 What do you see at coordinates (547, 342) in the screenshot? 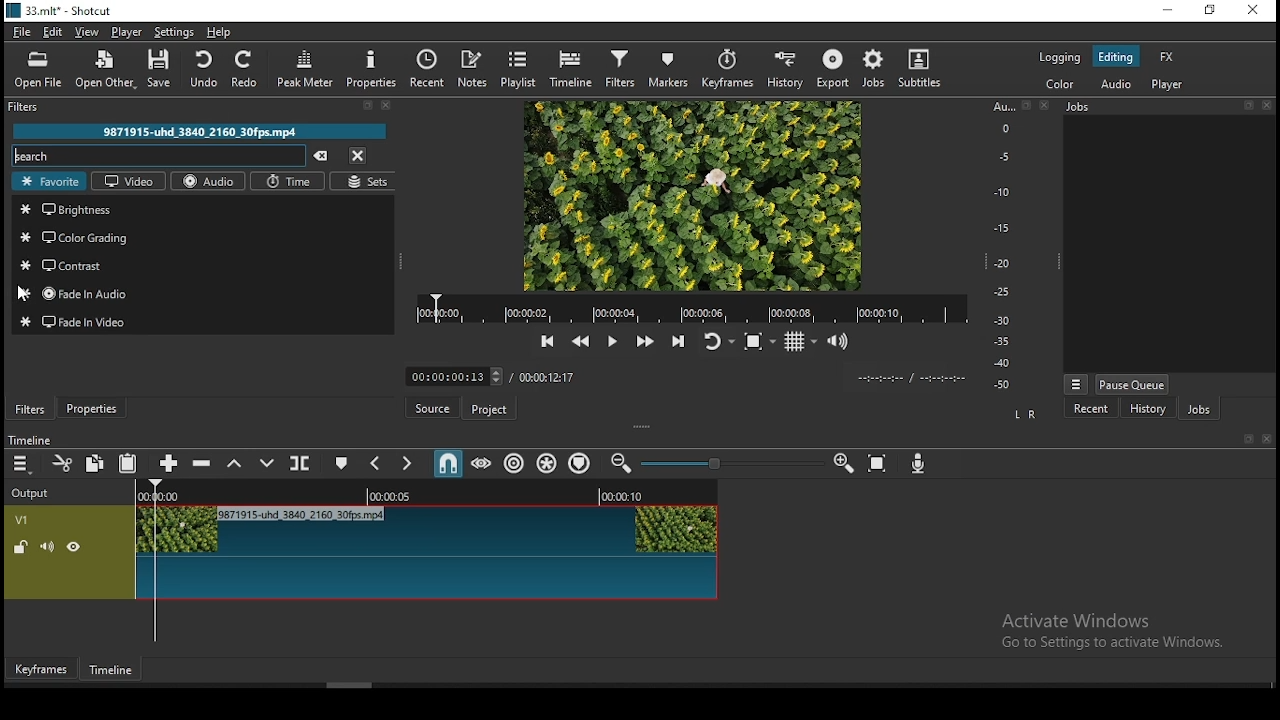
I see `skip to the previous point` at bounding box center [547, 342].